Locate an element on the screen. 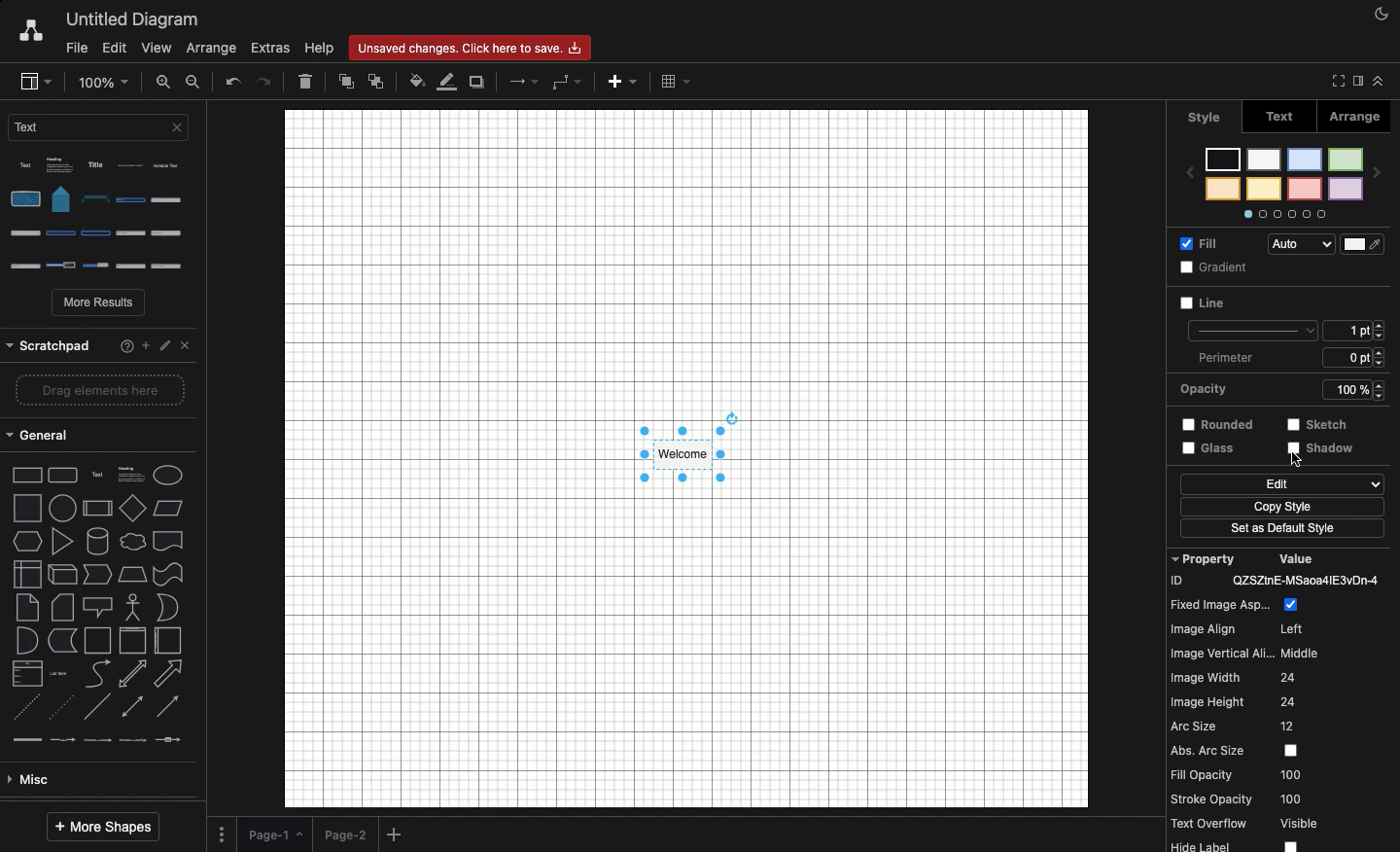 This screenshot has height=852, width=1400. Night  is located at coordinates (1382, 13).